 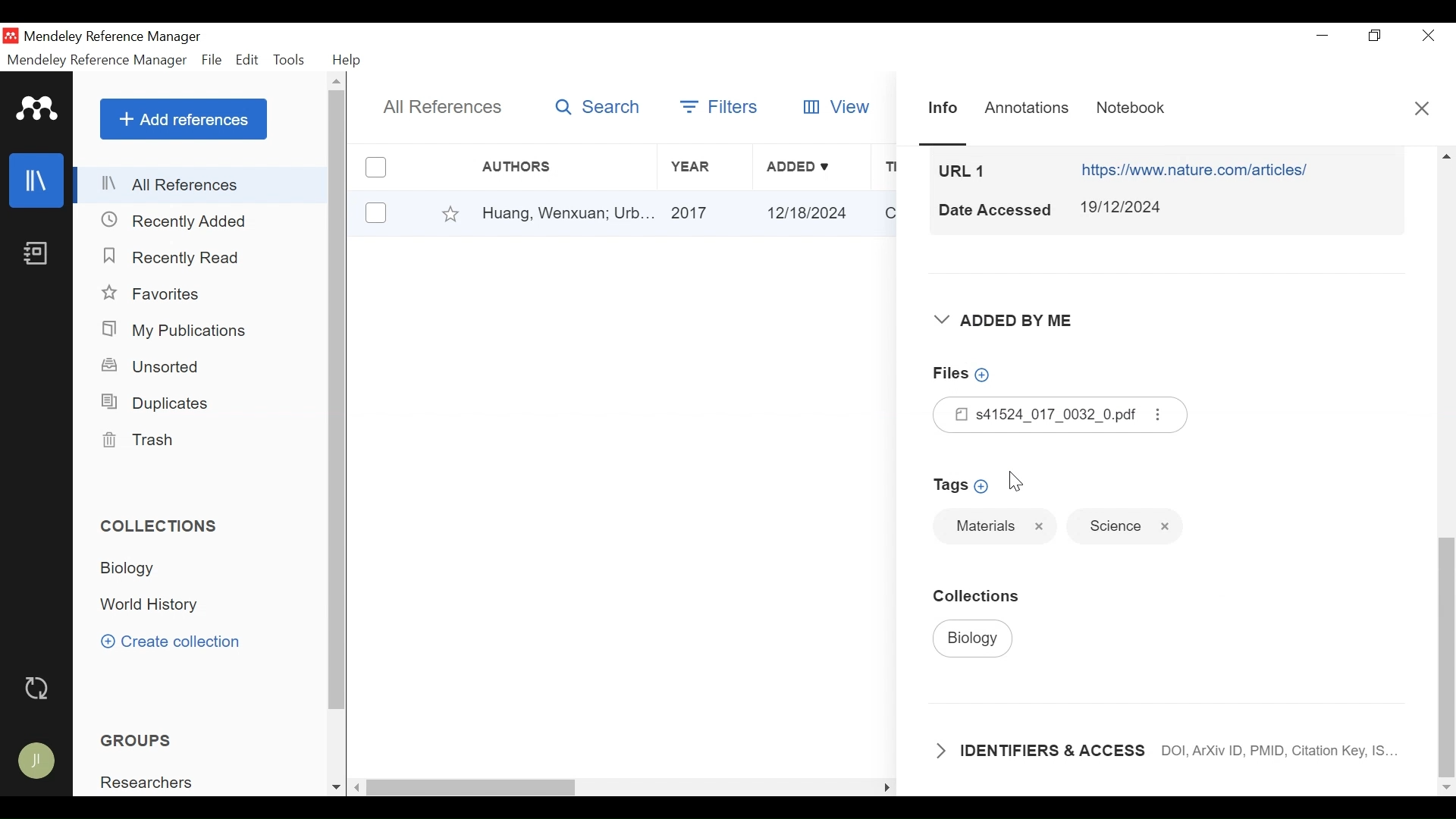 What do you see at coordinates (444, 108) in the screenshot?
I see `All References` at bounding box center [444, 108].